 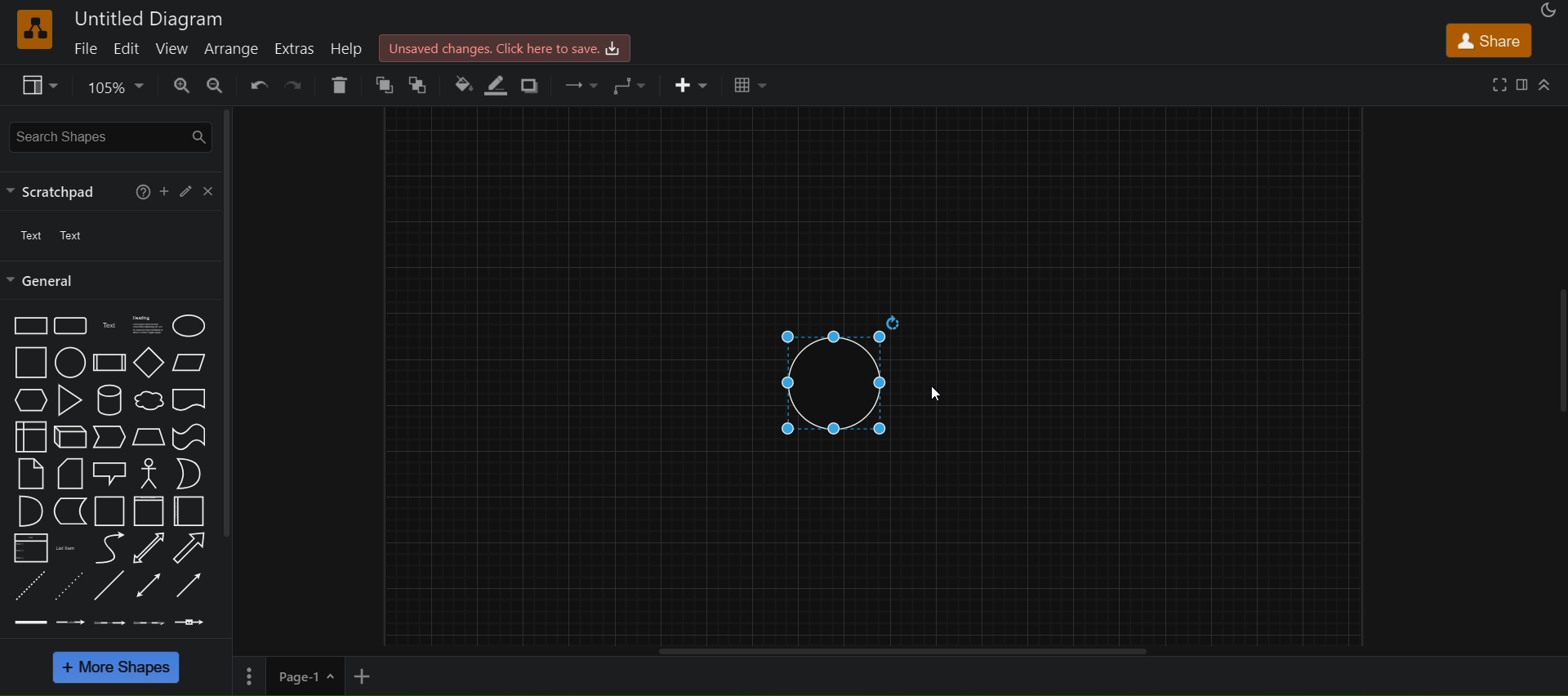 I want to click on text, so click(x=47, y=233).